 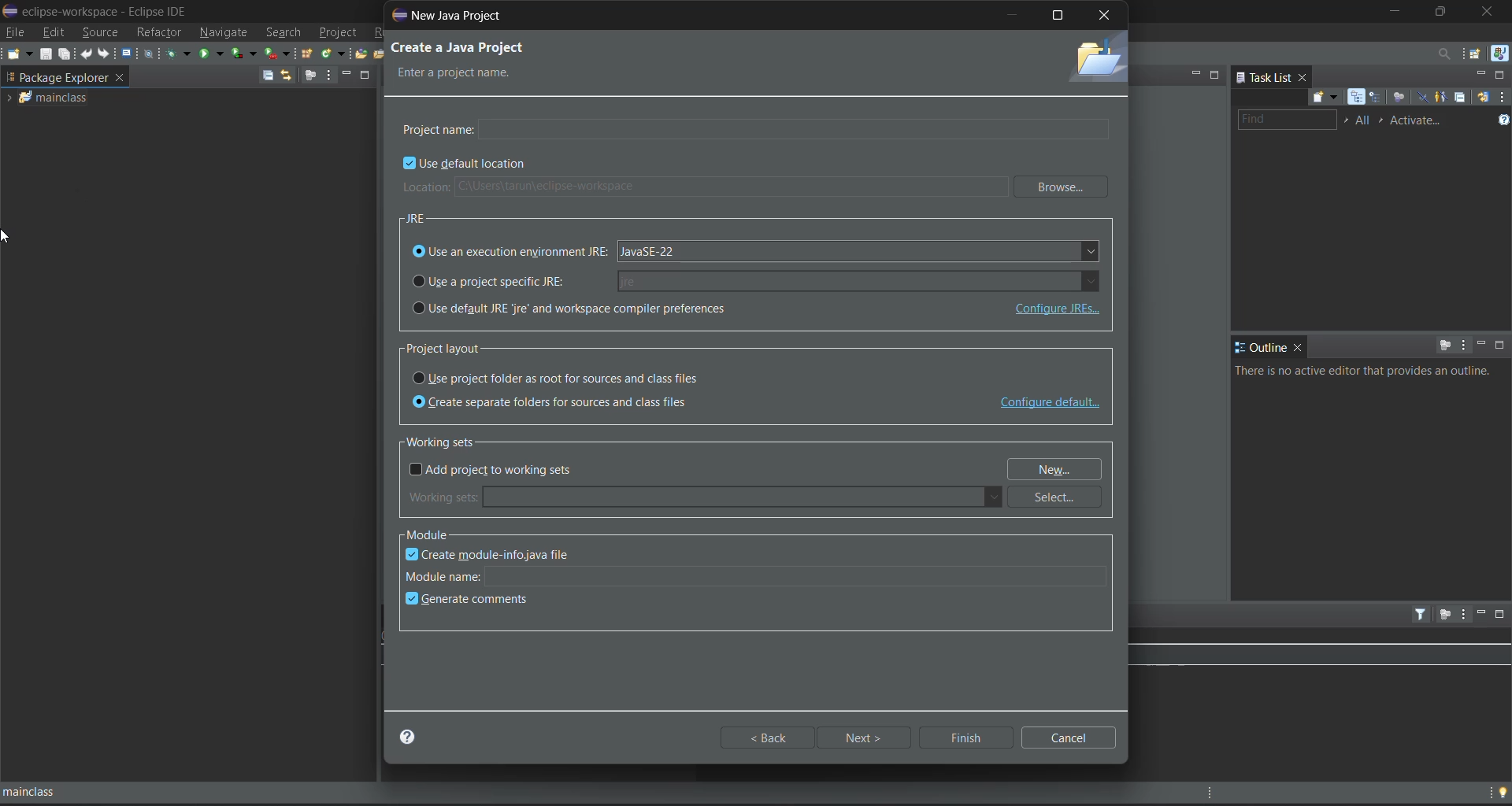 What do you see at coordinates (1054, 309) in the screenshot?
I see `configure JREs` at bounding box center [1054, 309].